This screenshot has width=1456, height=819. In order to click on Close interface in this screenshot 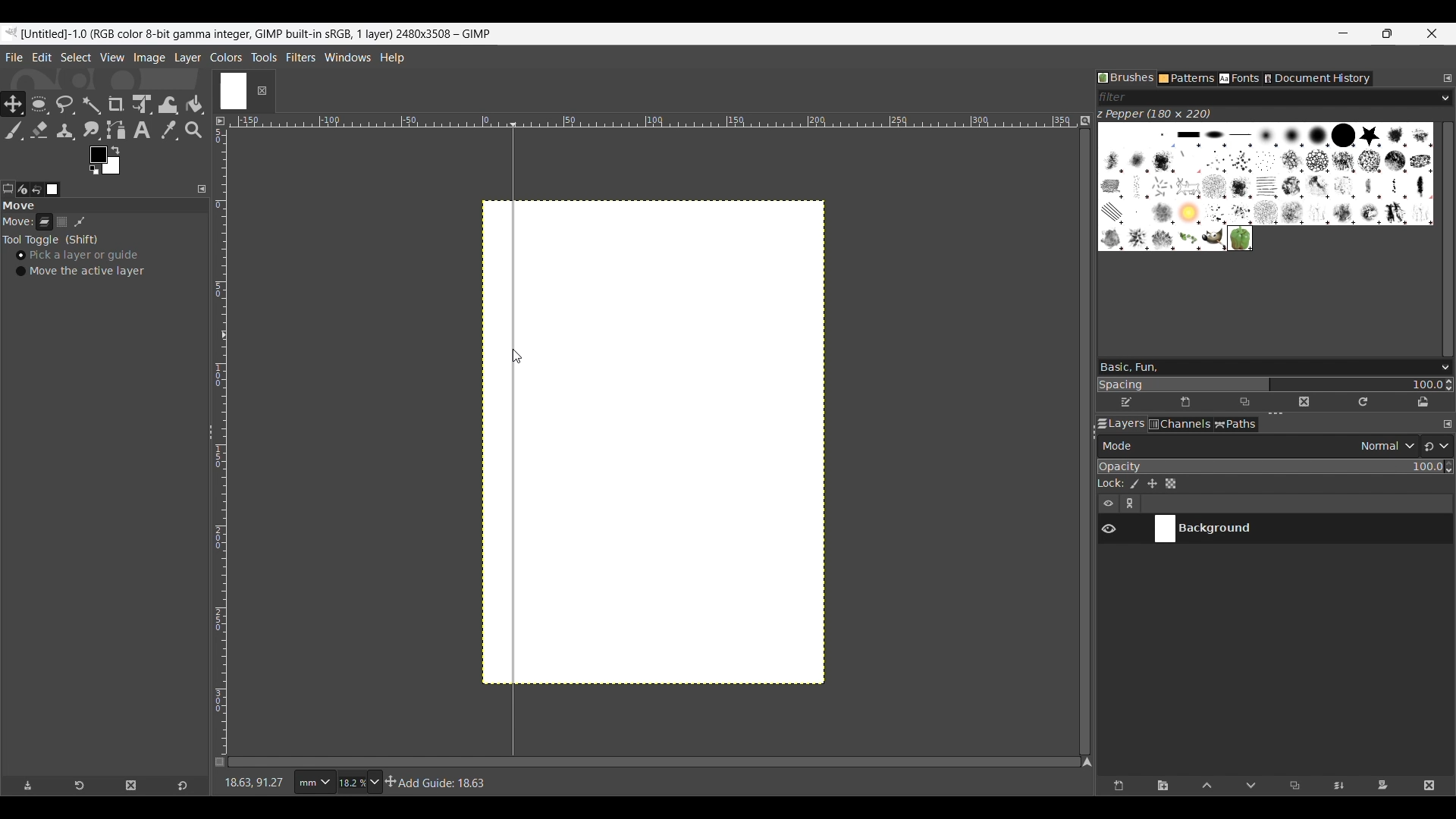, I will do `click(1431, 33)`.